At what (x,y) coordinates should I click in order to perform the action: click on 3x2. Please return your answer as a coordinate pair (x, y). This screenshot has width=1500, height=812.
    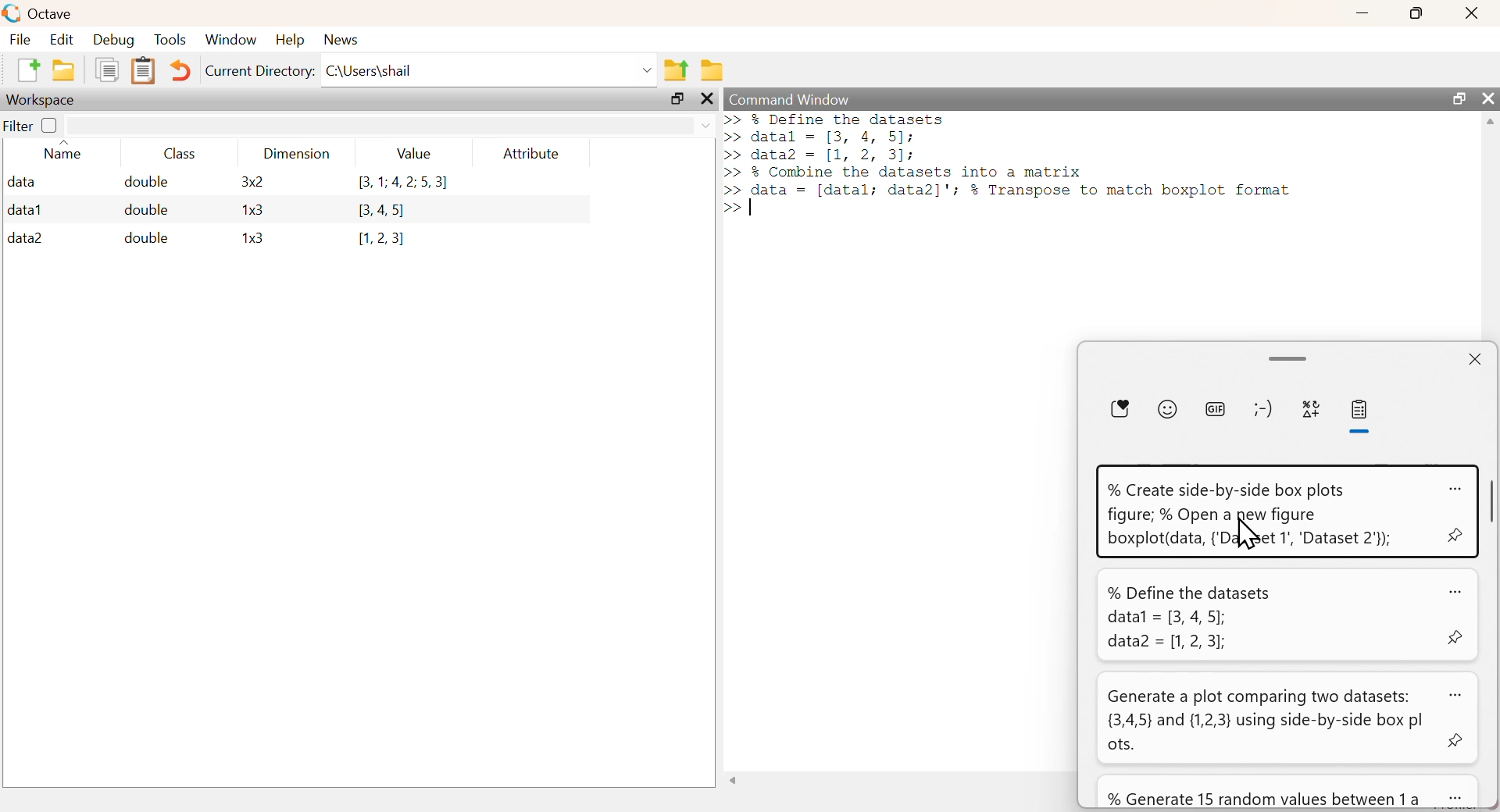
    Looking at the image, I should click on (252, 181).